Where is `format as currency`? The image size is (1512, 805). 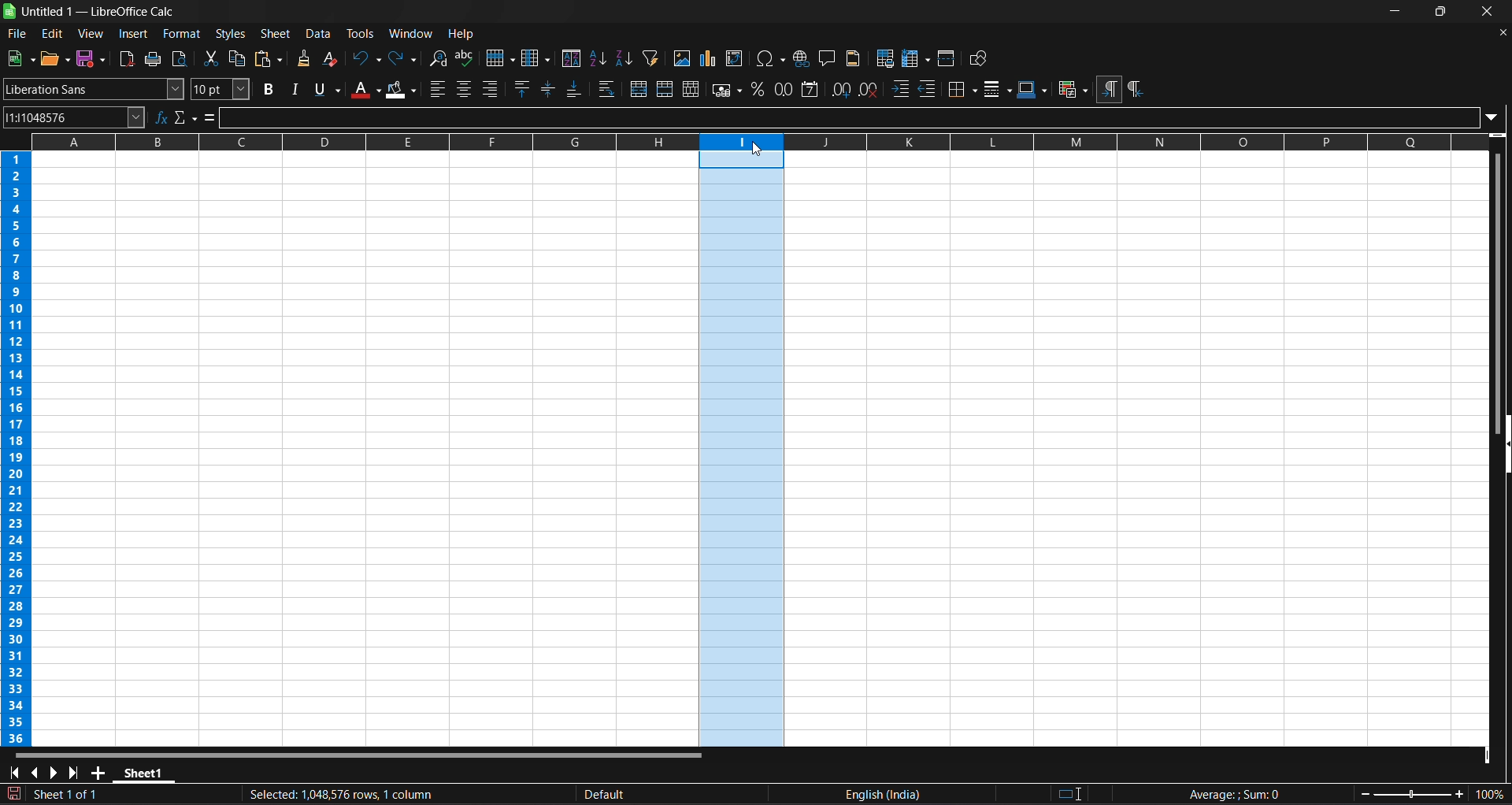
format as currency is located at coordinates (728, 91).